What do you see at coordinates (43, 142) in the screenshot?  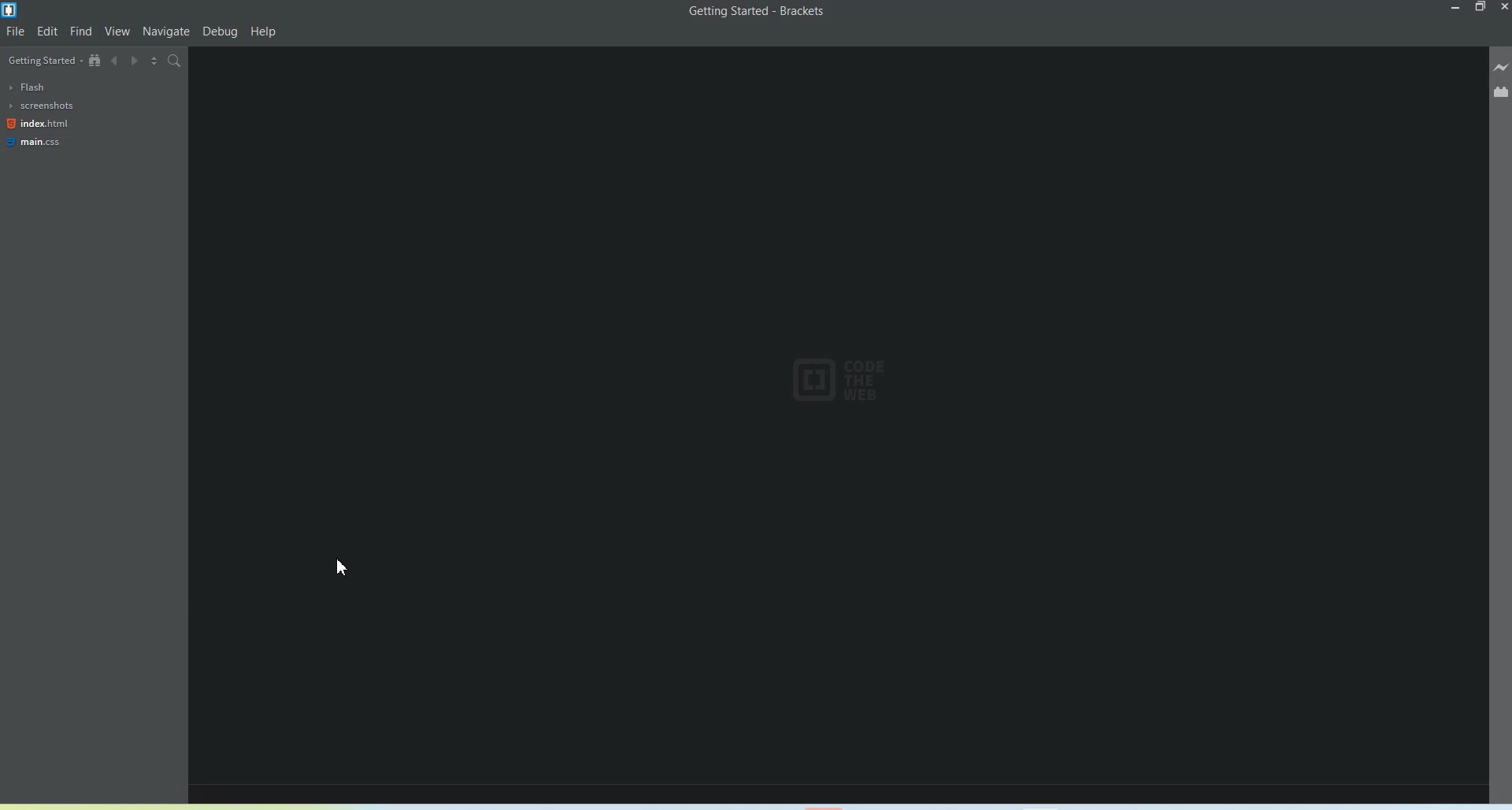 I see `main.css` at bounding box center [43, 142].